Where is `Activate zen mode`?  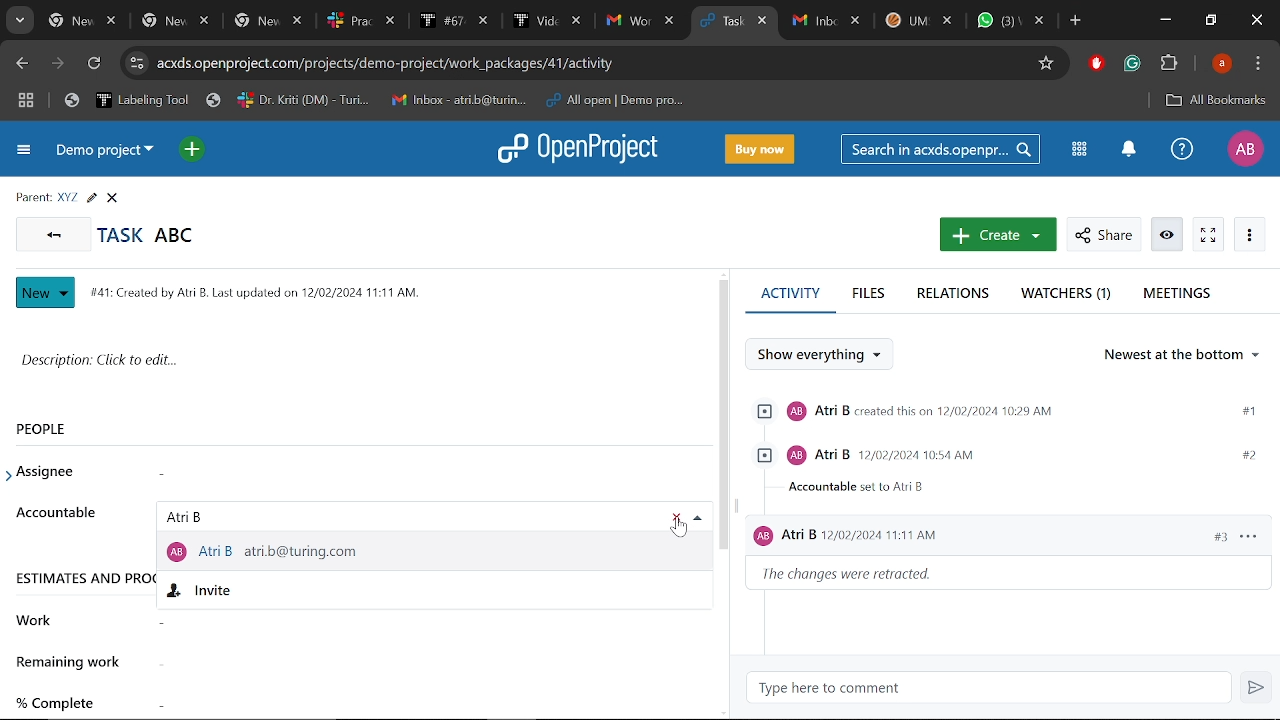 Activate zen mode is located at coordinates (1209, 235).